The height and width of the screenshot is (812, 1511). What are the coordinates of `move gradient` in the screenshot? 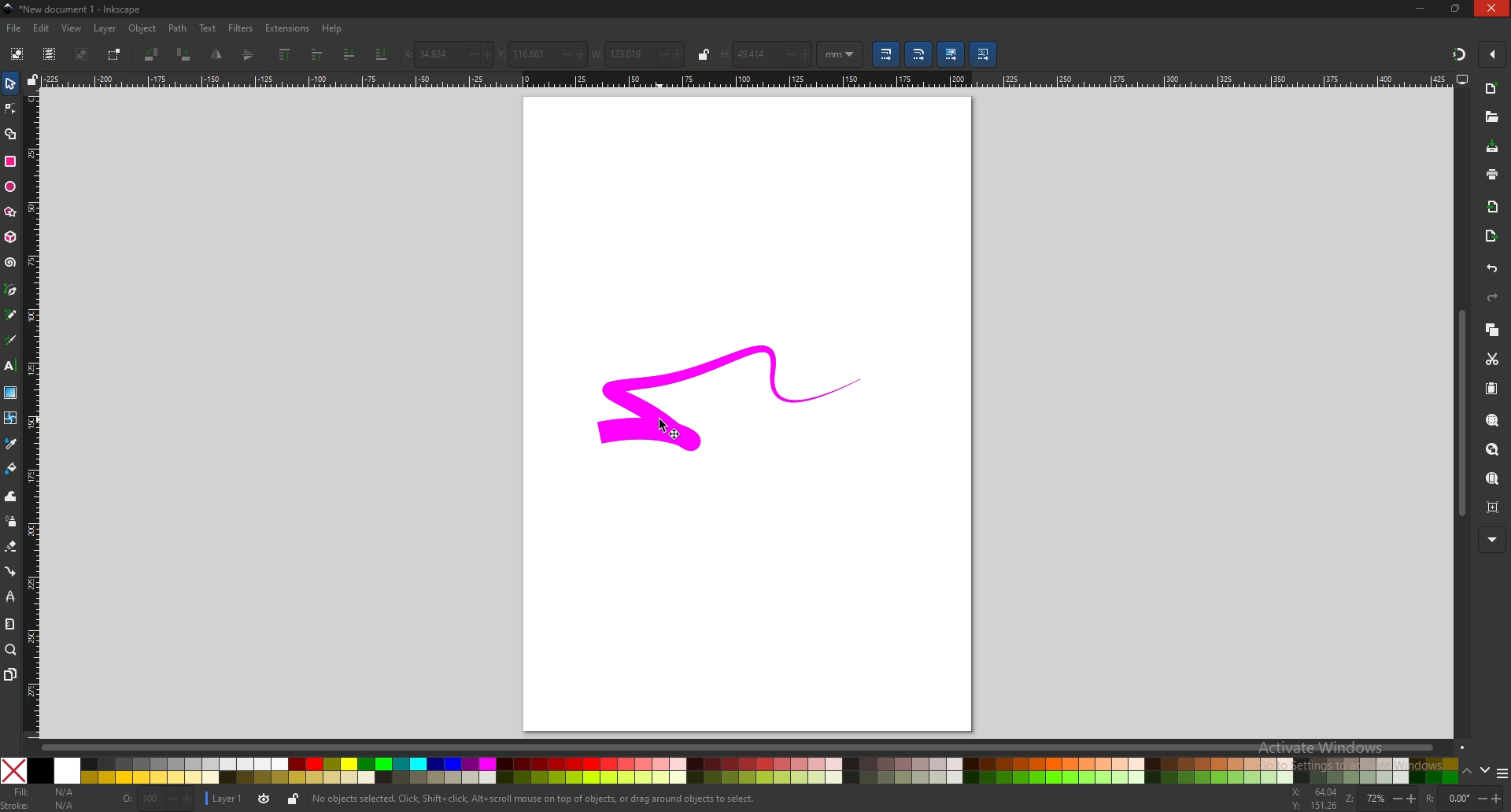 It's located at (951, 54).